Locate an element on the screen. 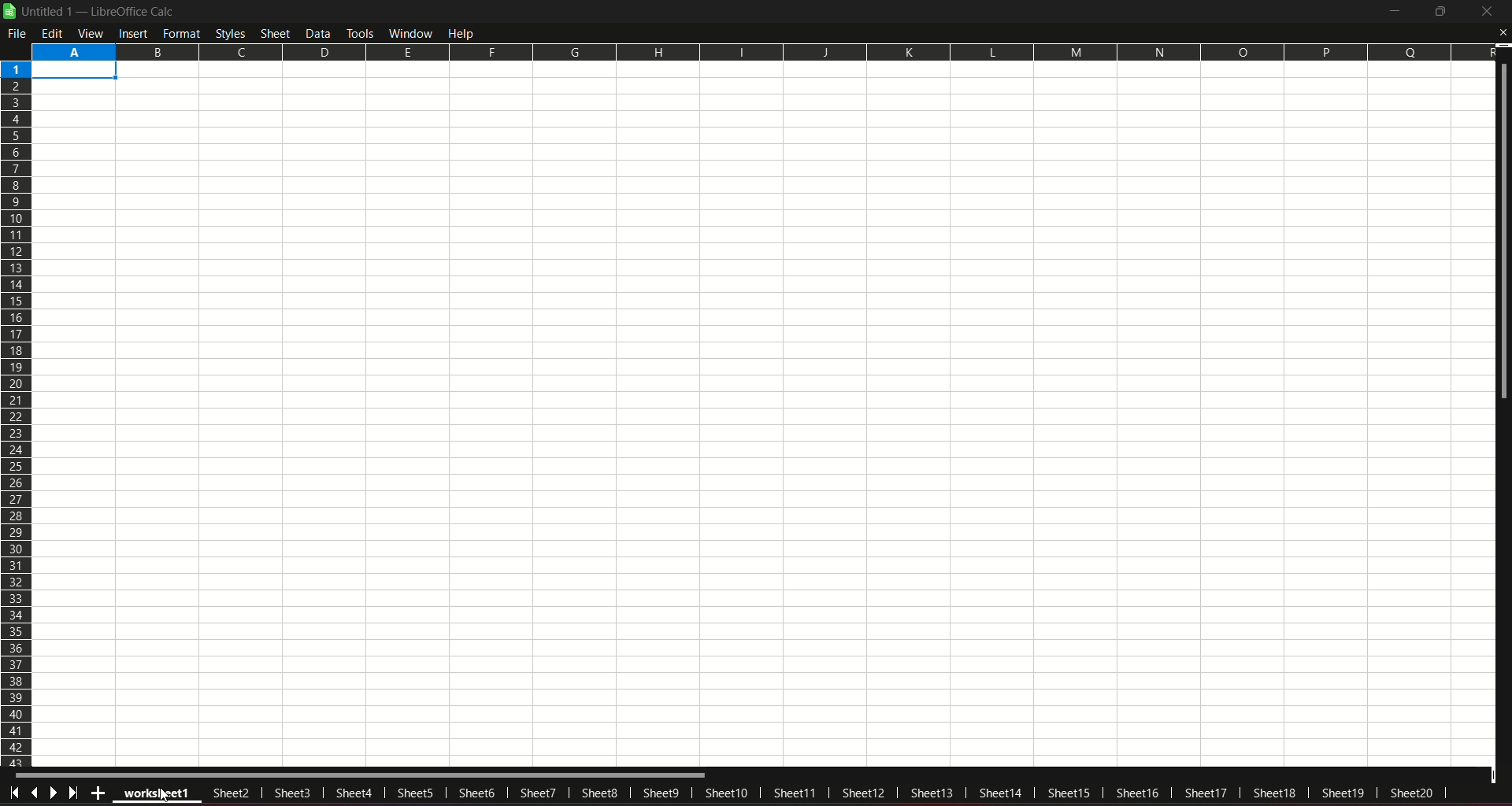  Close is located at coordinates (1487, 13).